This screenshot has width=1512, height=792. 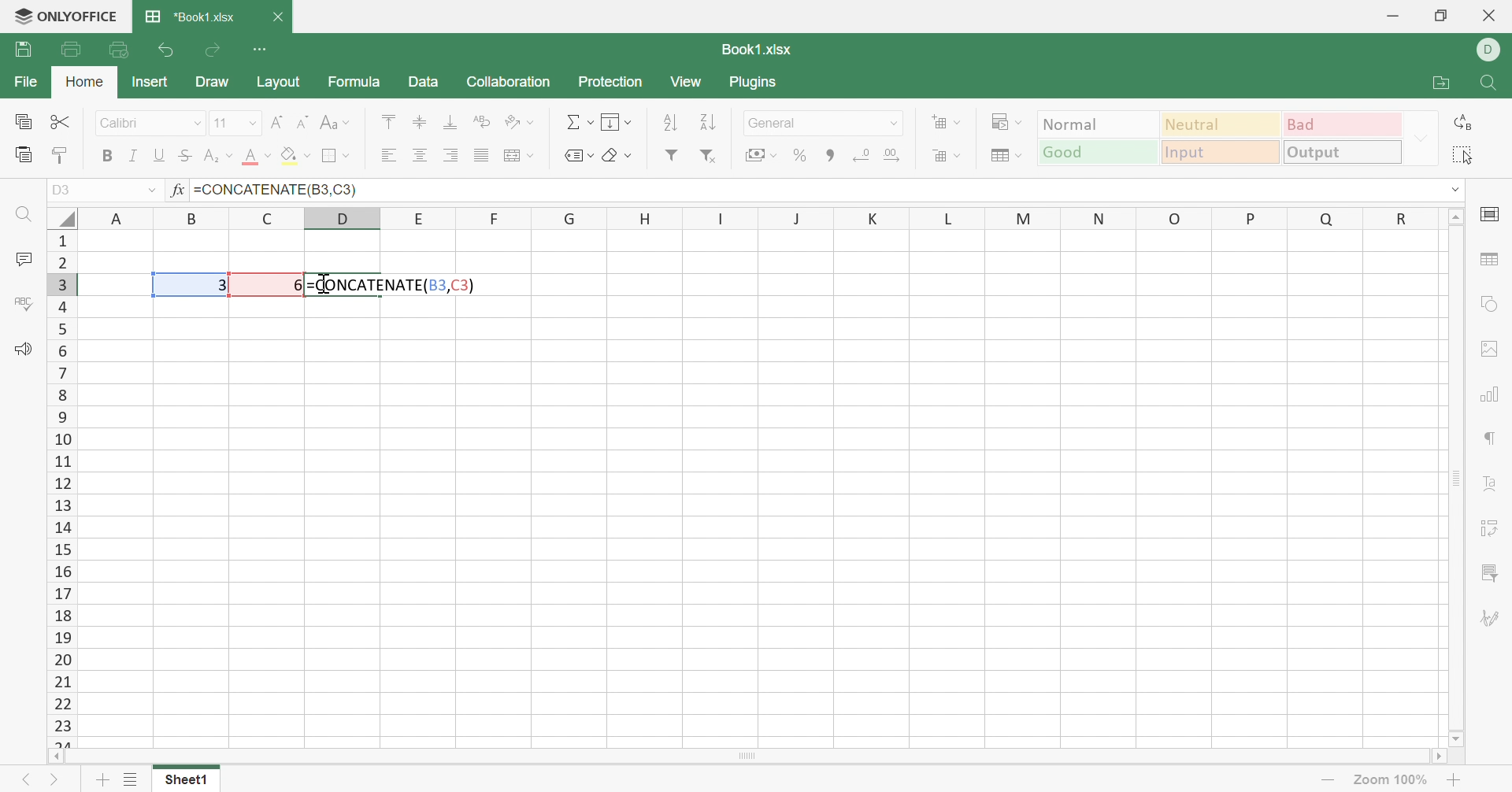 I want to click on Bold, so click(x=105, y=157).